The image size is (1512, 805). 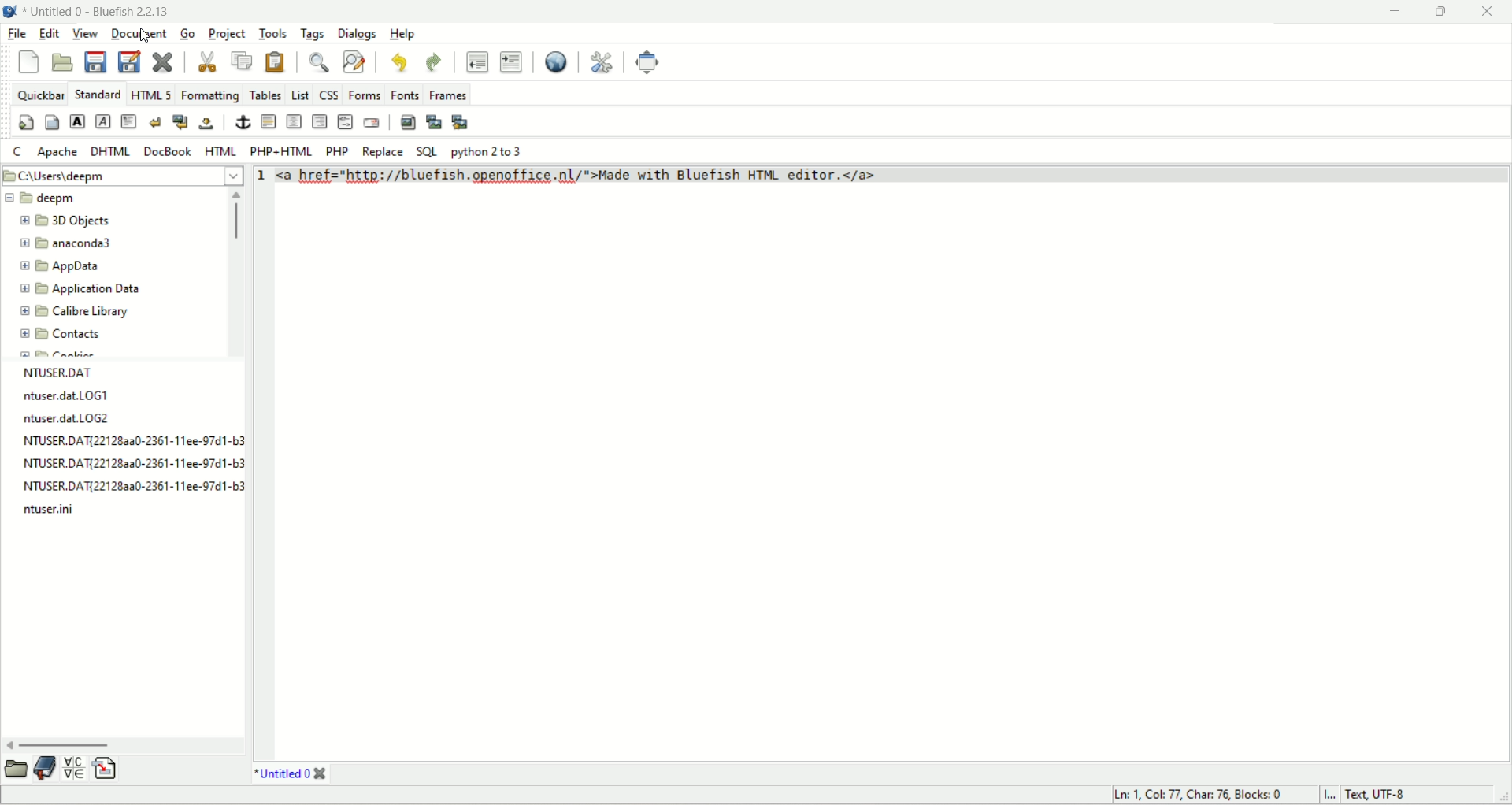 What do you see at coordinates (124, 175) in the screenshot?
I see `location` at bounding box center [124, 175].